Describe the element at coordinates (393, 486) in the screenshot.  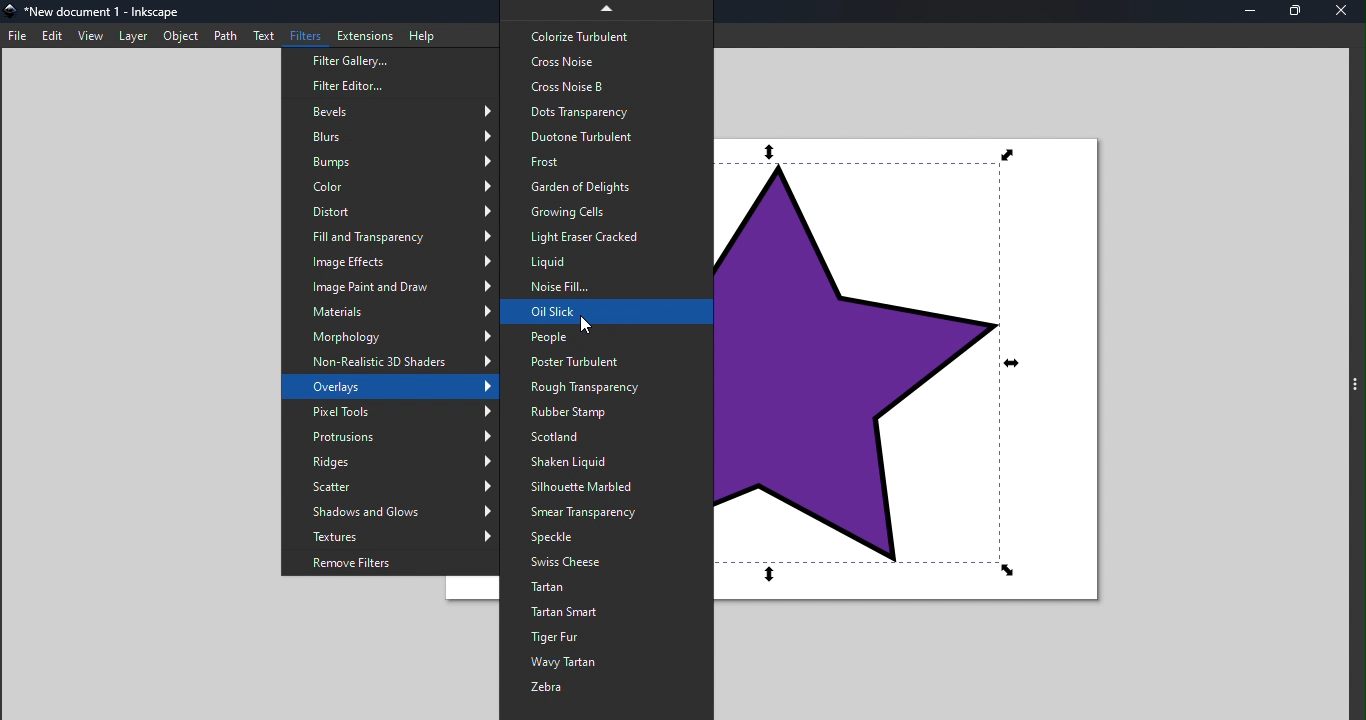
I see `Scatter` at that location.